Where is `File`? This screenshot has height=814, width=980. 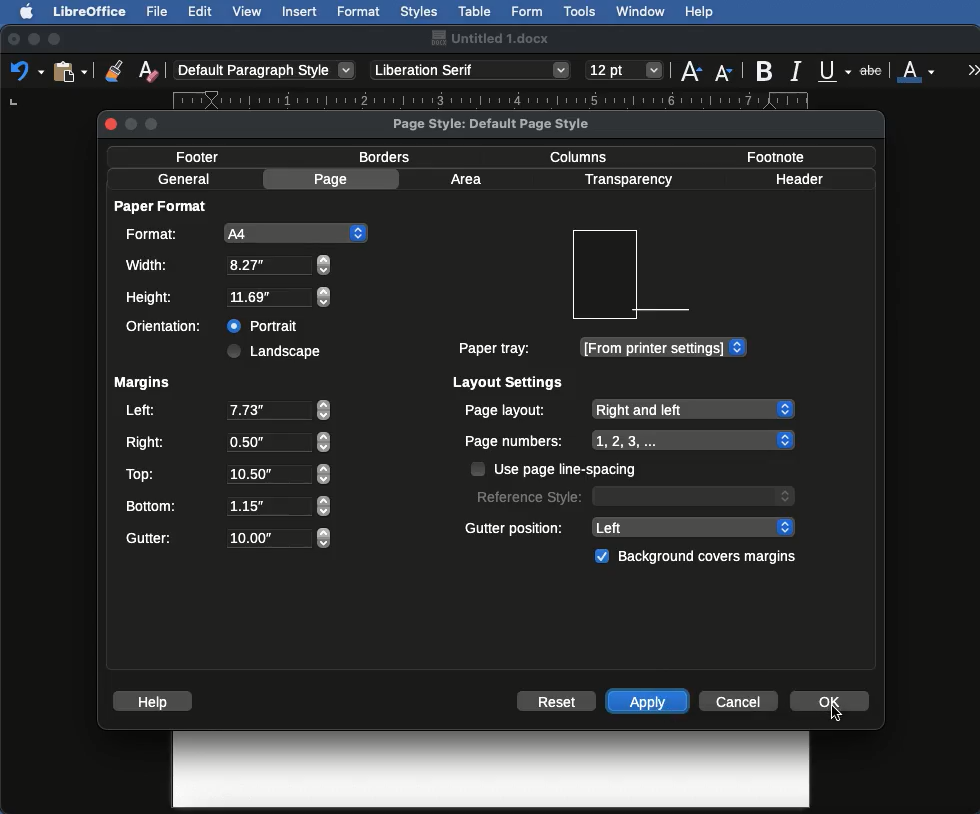 File is located at coordinates (159, 11).